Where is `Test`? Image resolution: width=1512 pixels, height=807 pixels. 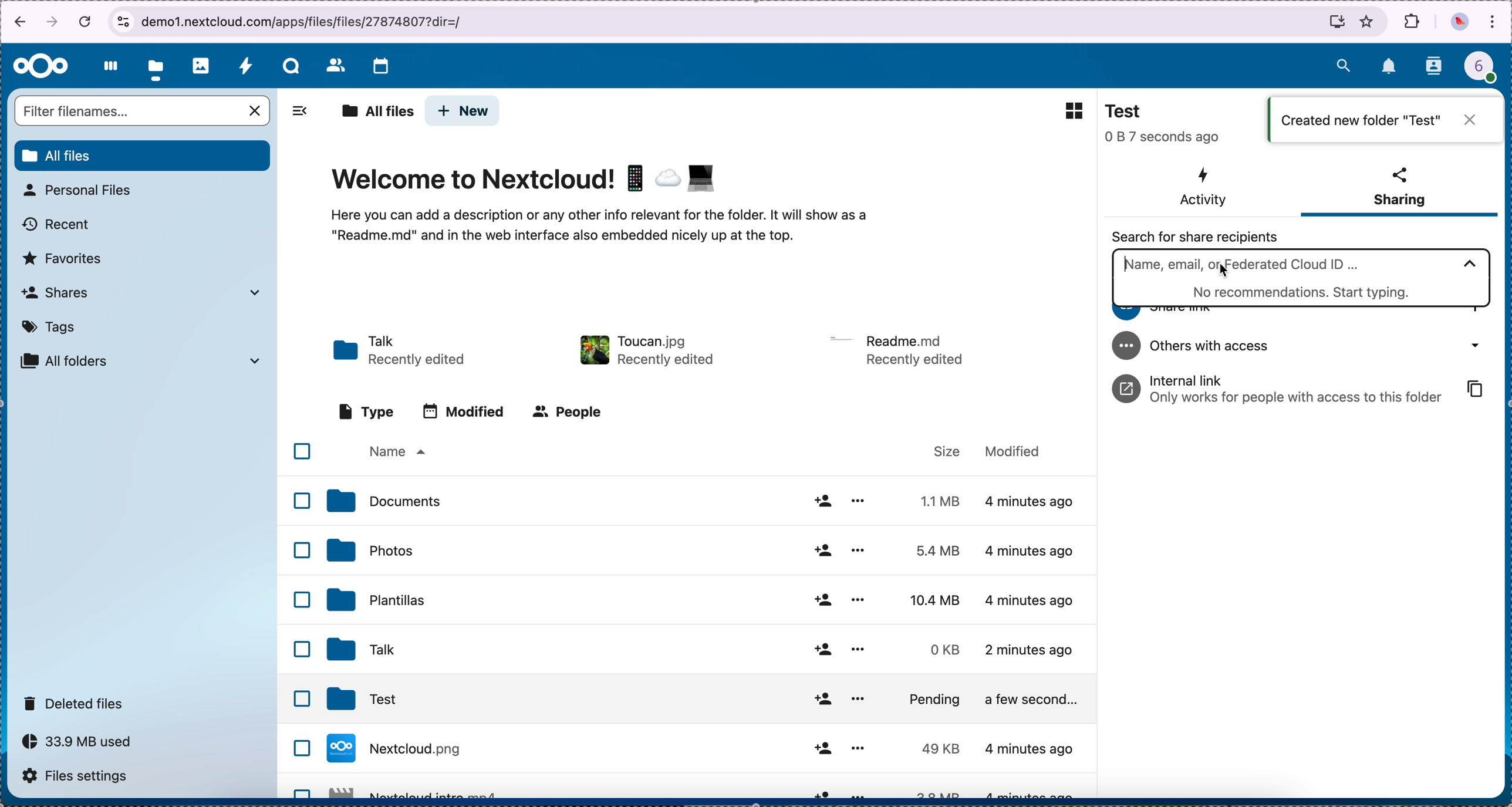
Test is located at coordinates (1129, 112).